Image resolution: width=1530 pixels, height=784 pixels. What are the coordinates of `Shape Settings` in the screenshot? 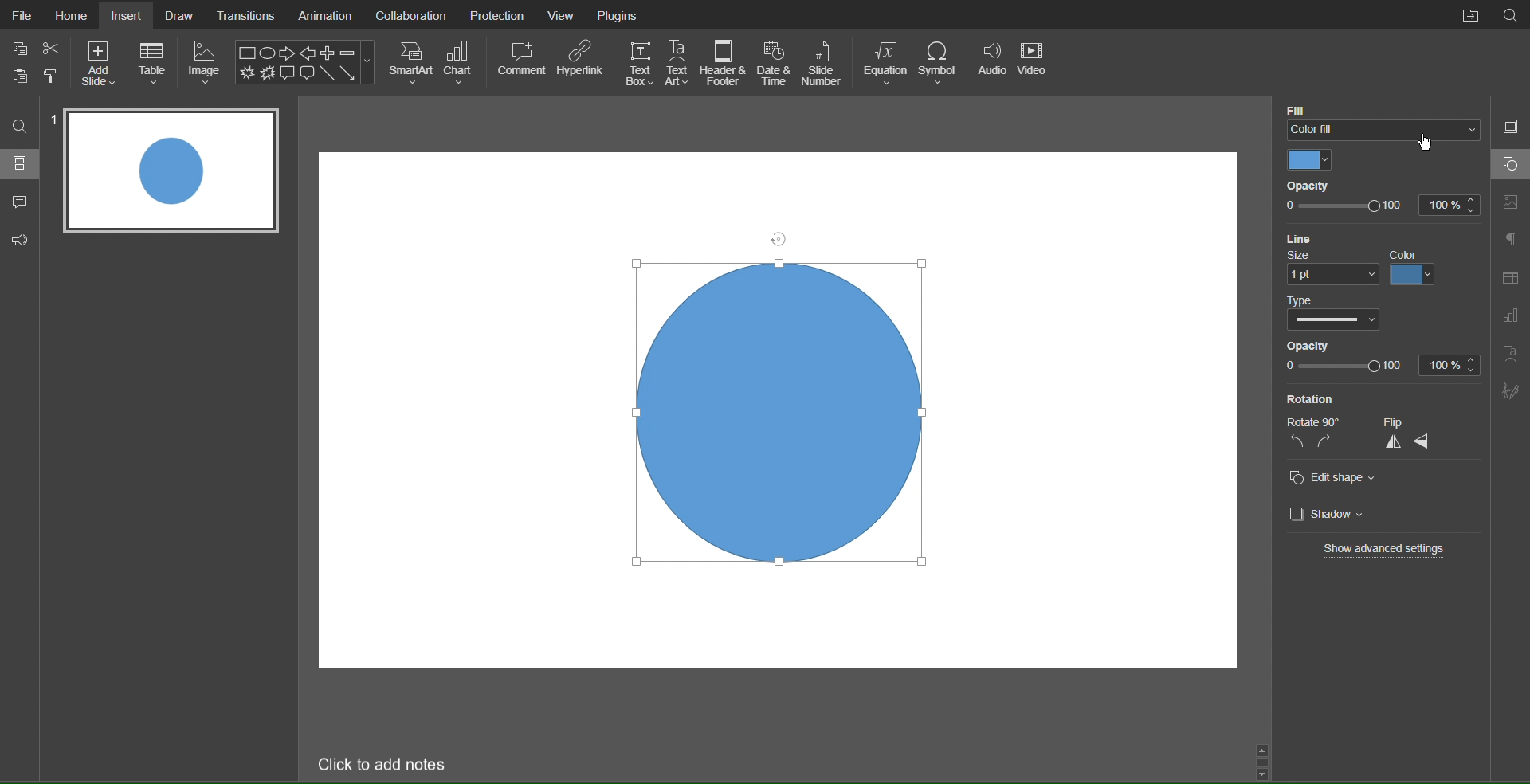 It's located at (1509, 165).